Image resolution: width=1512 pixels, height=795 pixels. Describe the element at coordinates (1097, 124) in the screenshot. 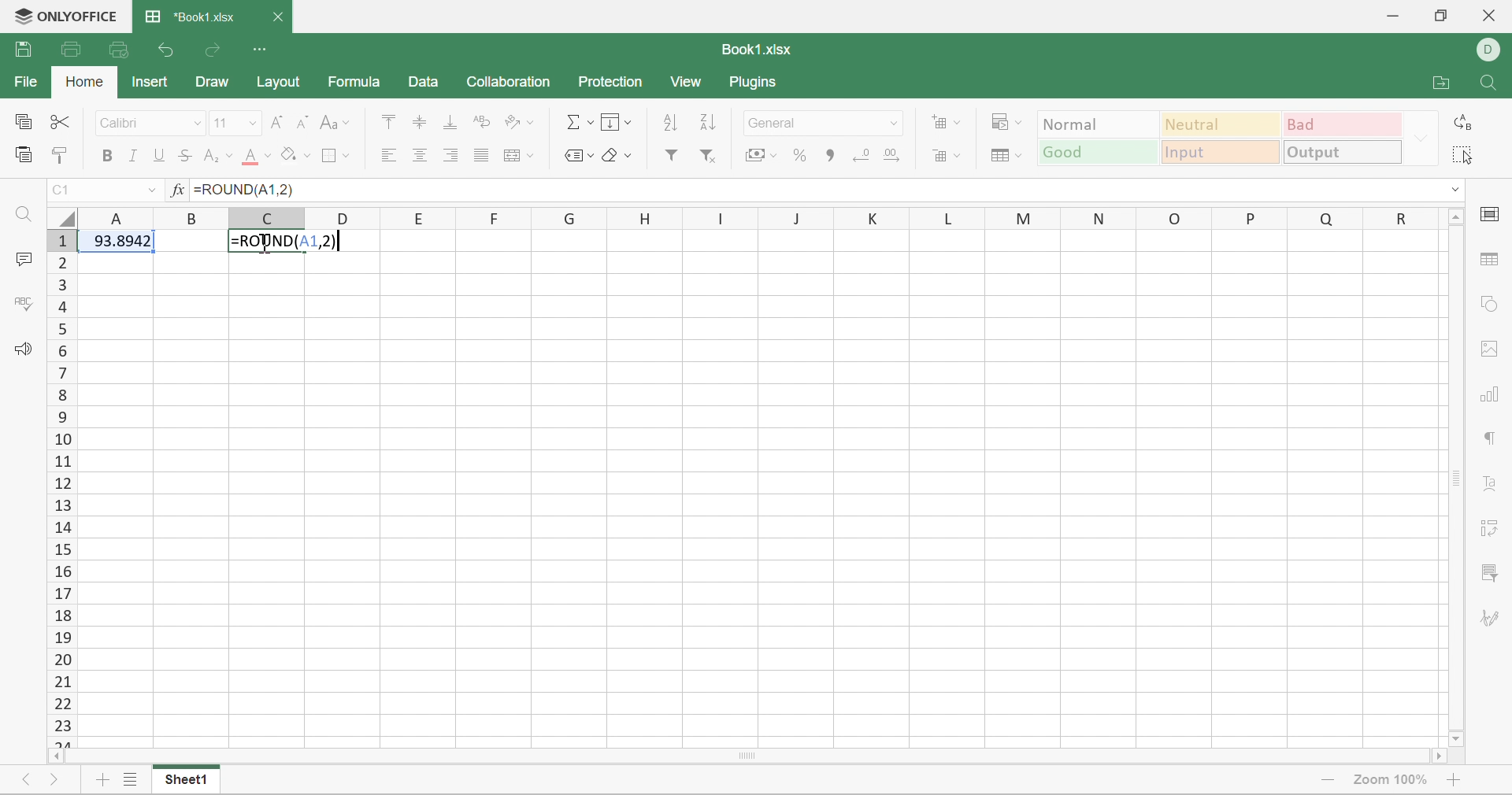

I see `Normal` at that location.